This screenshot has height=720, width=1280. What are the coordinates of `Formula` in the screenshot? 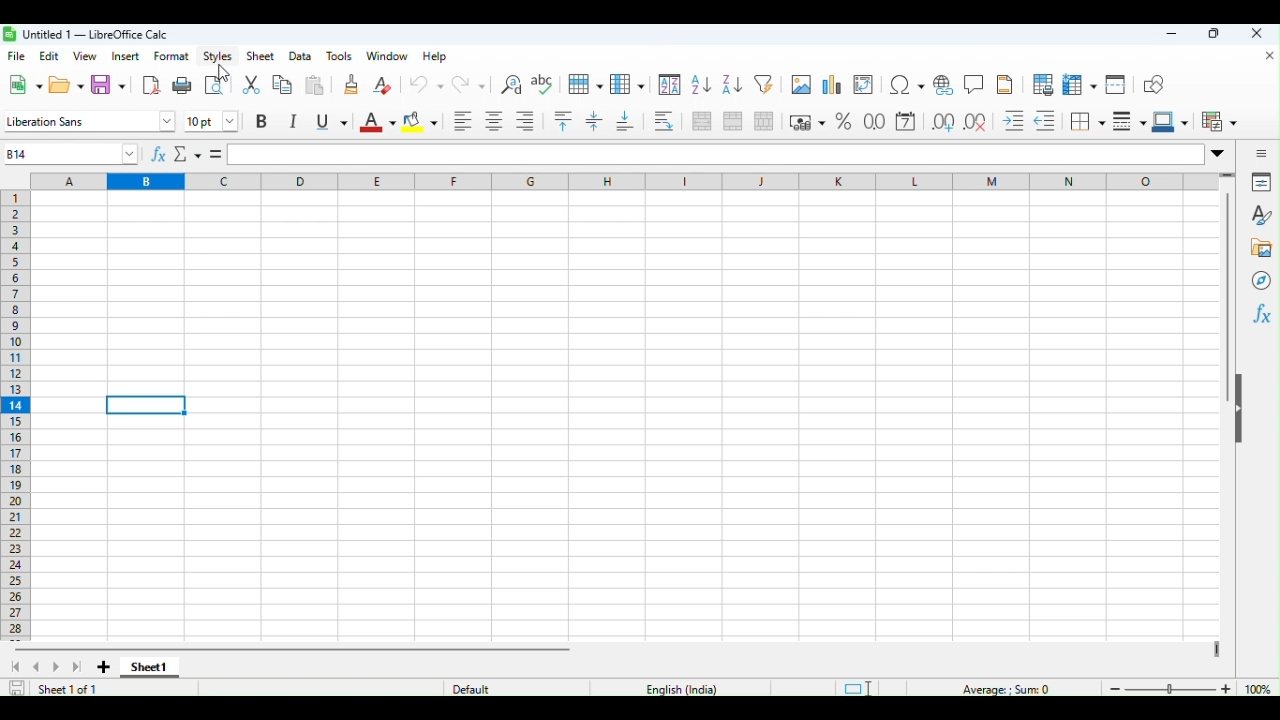 It's located at (184, 153).